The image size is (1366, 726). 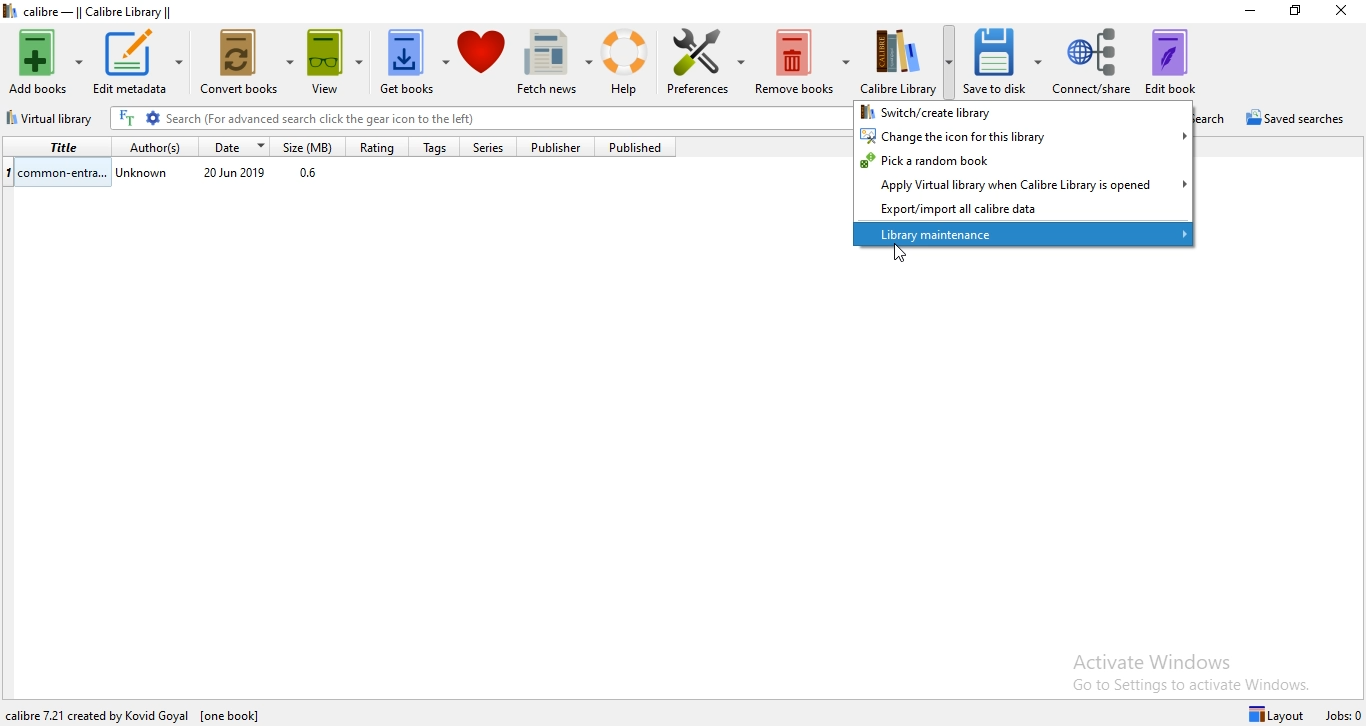 What do you see at coordinates (112, 11) in the screenshot?
I see `calibre - || Calibre Library ||` at bounding box center [112, 11].